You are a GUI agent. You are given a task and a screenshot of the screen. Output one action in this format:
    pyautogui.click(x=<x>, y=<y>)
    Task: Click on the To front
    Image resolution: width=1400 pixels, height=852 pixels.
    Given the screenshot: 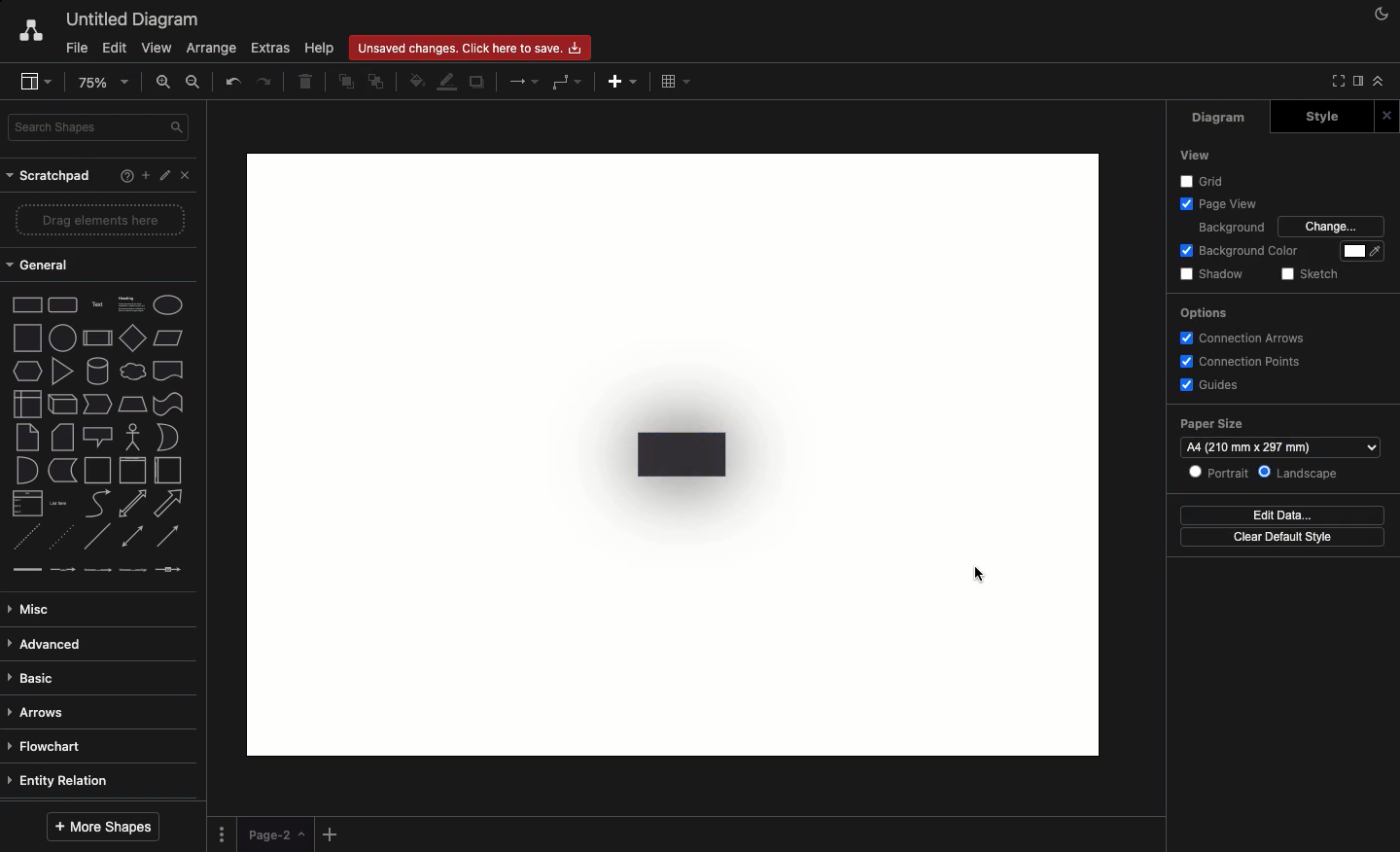 What is the action you would take?
    pyautogui.click(x=346, y=81)
    